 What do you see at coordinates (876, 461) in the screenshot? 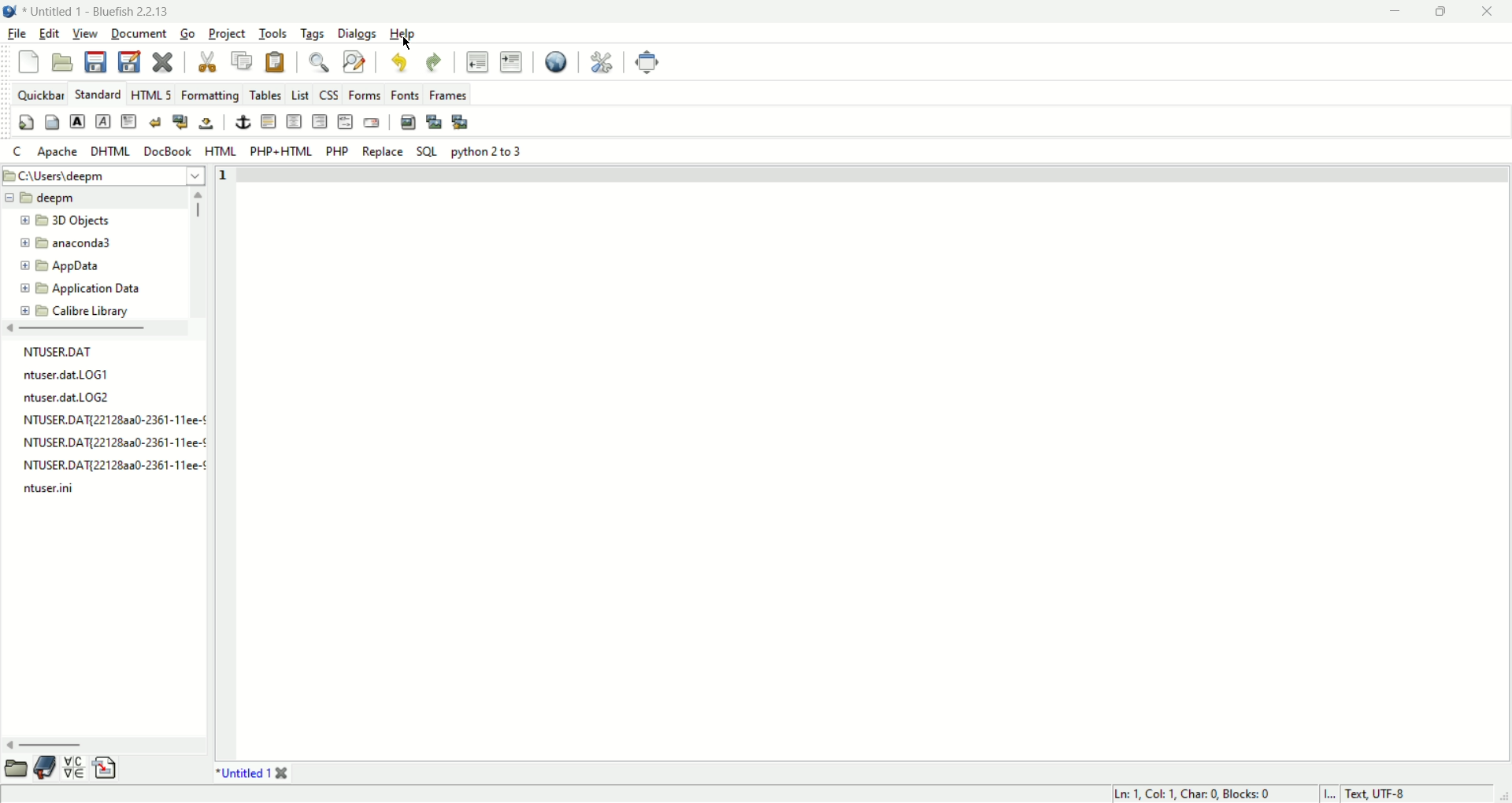
I see `editor` at bounding box center [876, 461].